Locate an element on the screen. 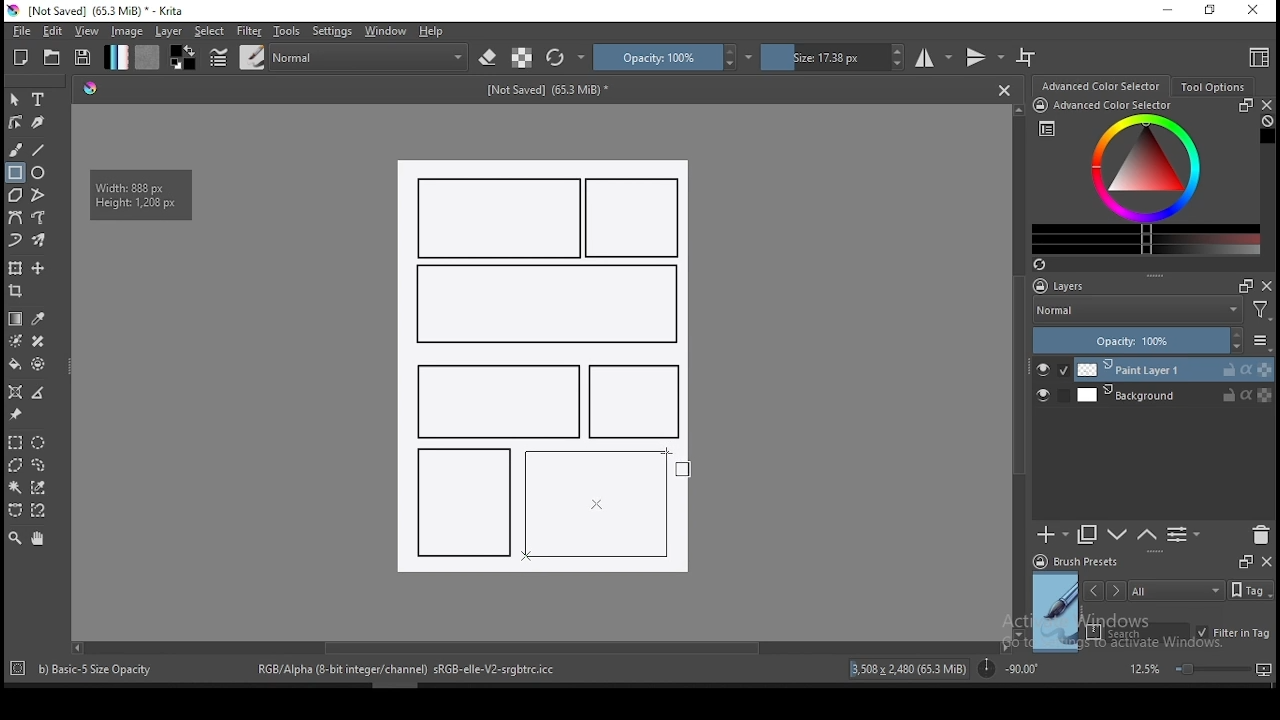 The image size is (1280, 720). save is located at coordinates (83, 58).